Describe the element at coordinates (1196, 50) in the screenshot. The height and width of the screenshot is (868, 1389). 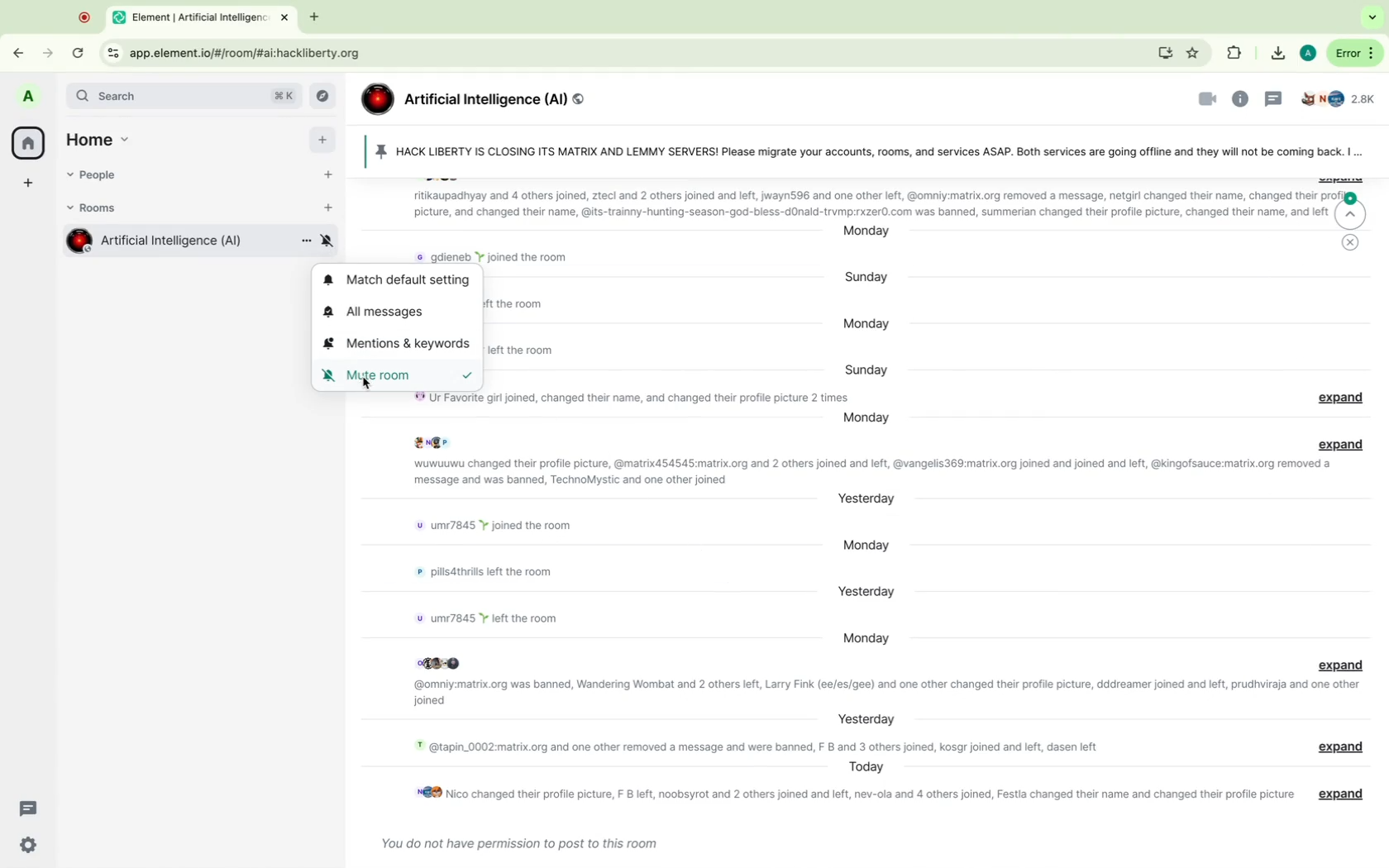
I see `favorites` at that location.